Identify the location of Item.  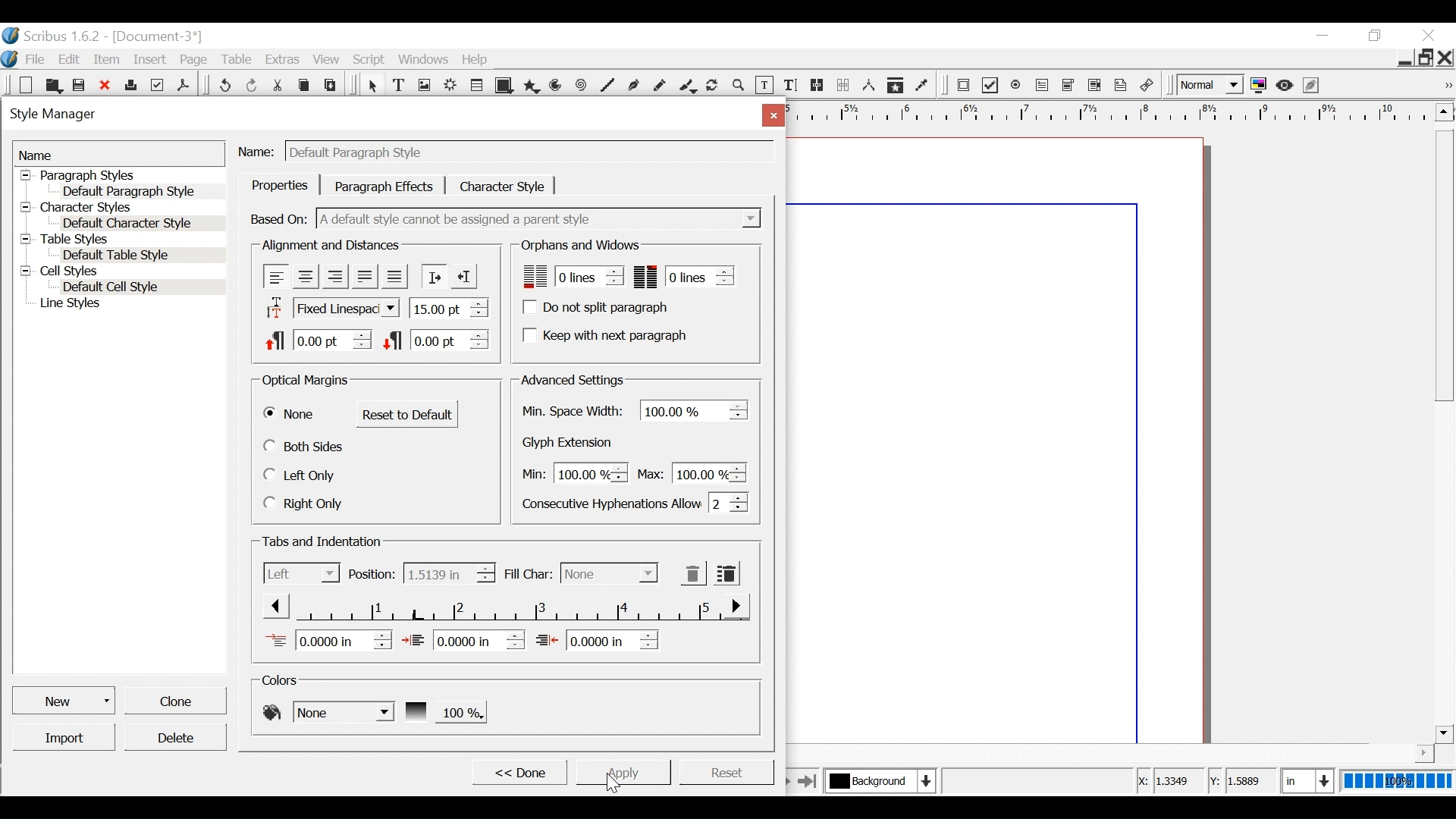
(107, 60).